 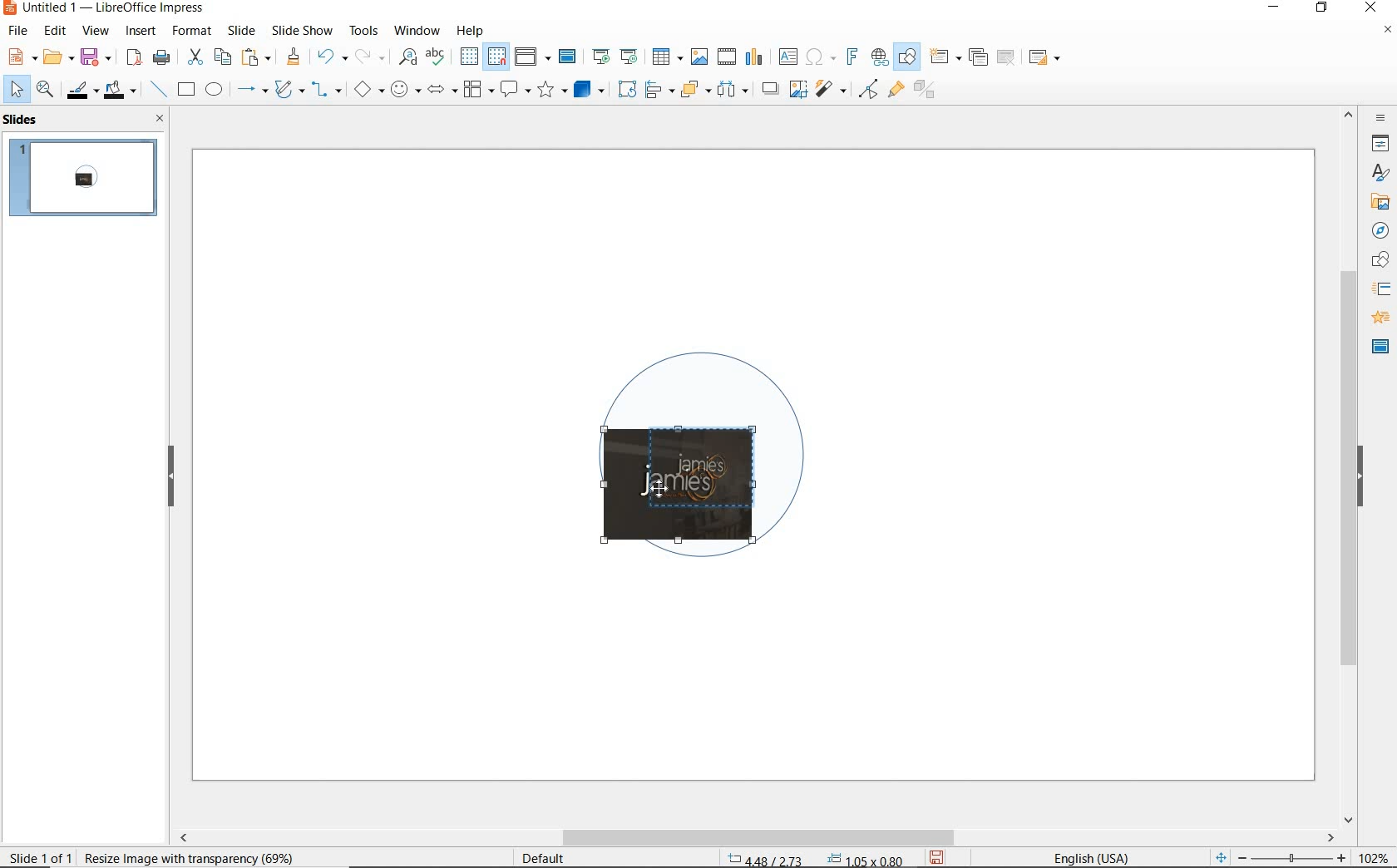 I want to click on select at least three objects to distribute, so click(x=733, y=90).